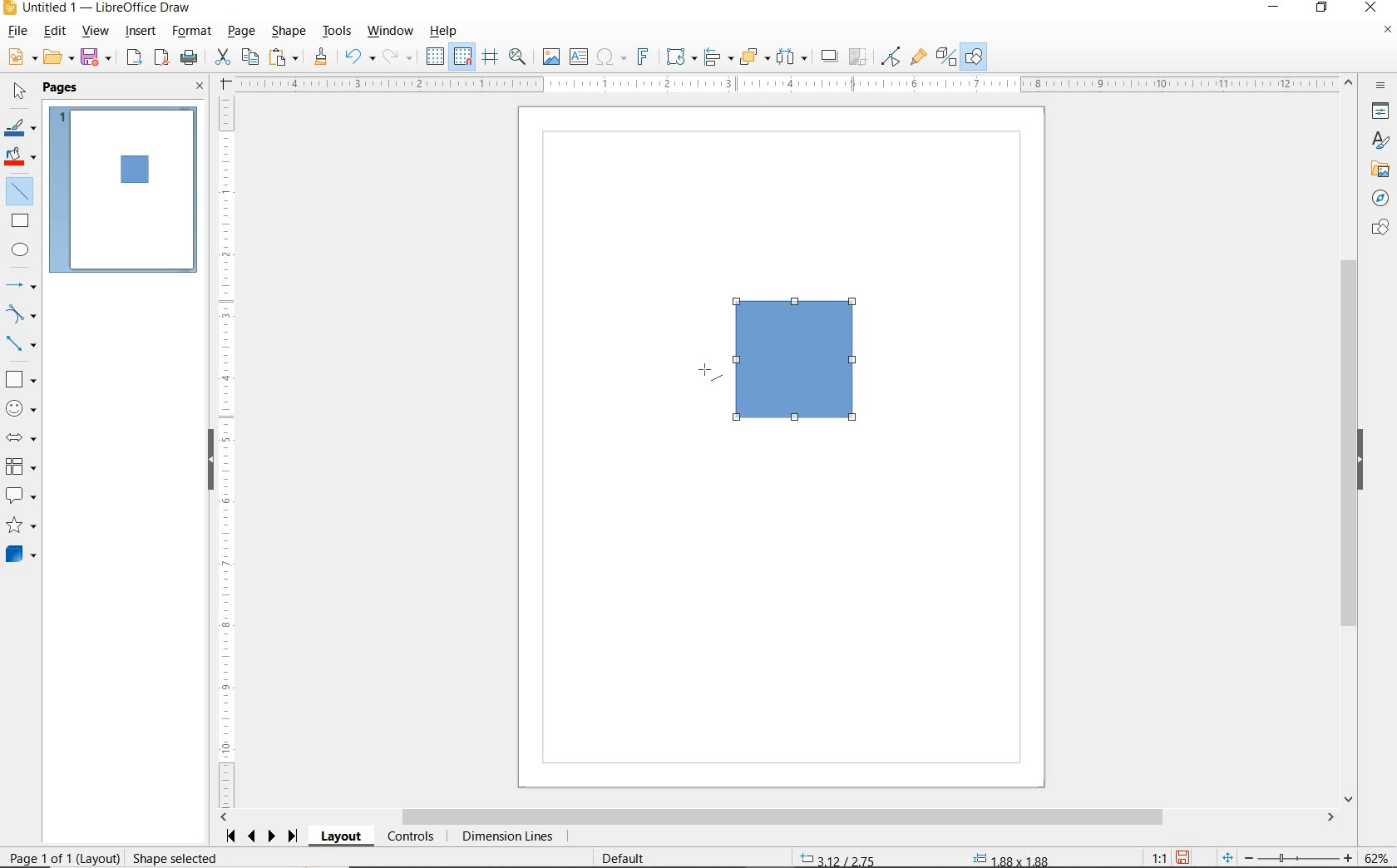 Image resolution: width=1397 pixels, height=868 pixels. What do you see at coordinates (1378, 113) in the screenshot?
I see `PROPERTIES` at bounding box center [1378, 113].